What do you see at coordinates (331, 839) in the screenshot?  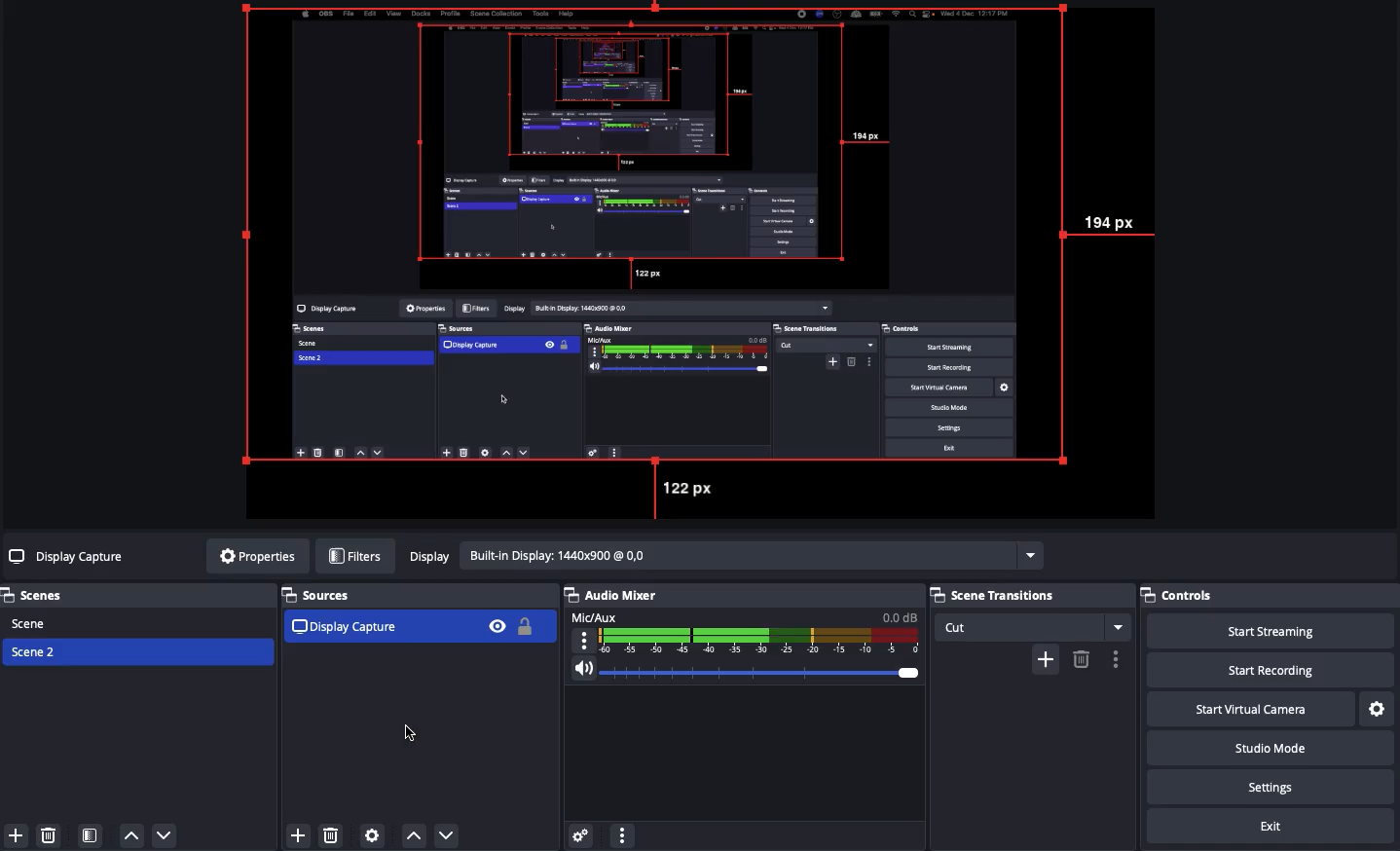 I see `delete` at bounding box center [331, 839].